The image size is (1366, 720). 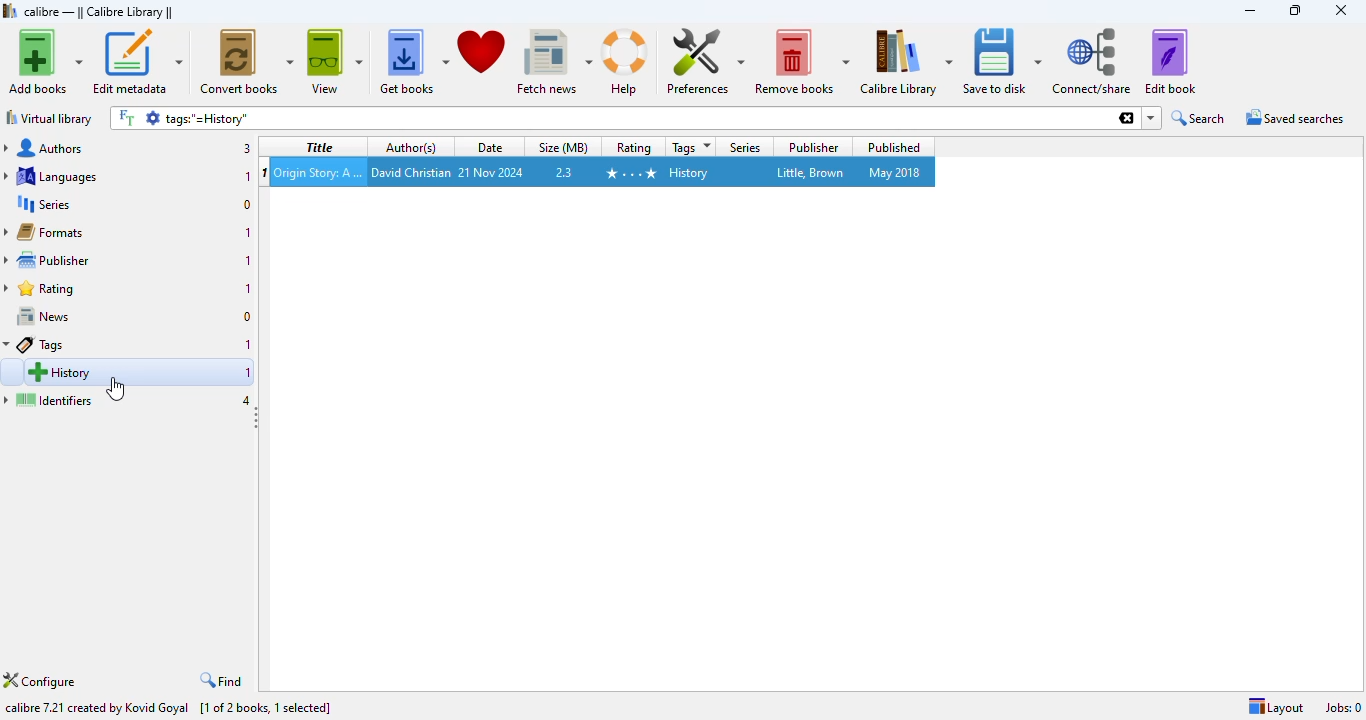 What do you see at coordinates (265, 172) in the screenshot?
I see `1` at bounding box center [265, 172].